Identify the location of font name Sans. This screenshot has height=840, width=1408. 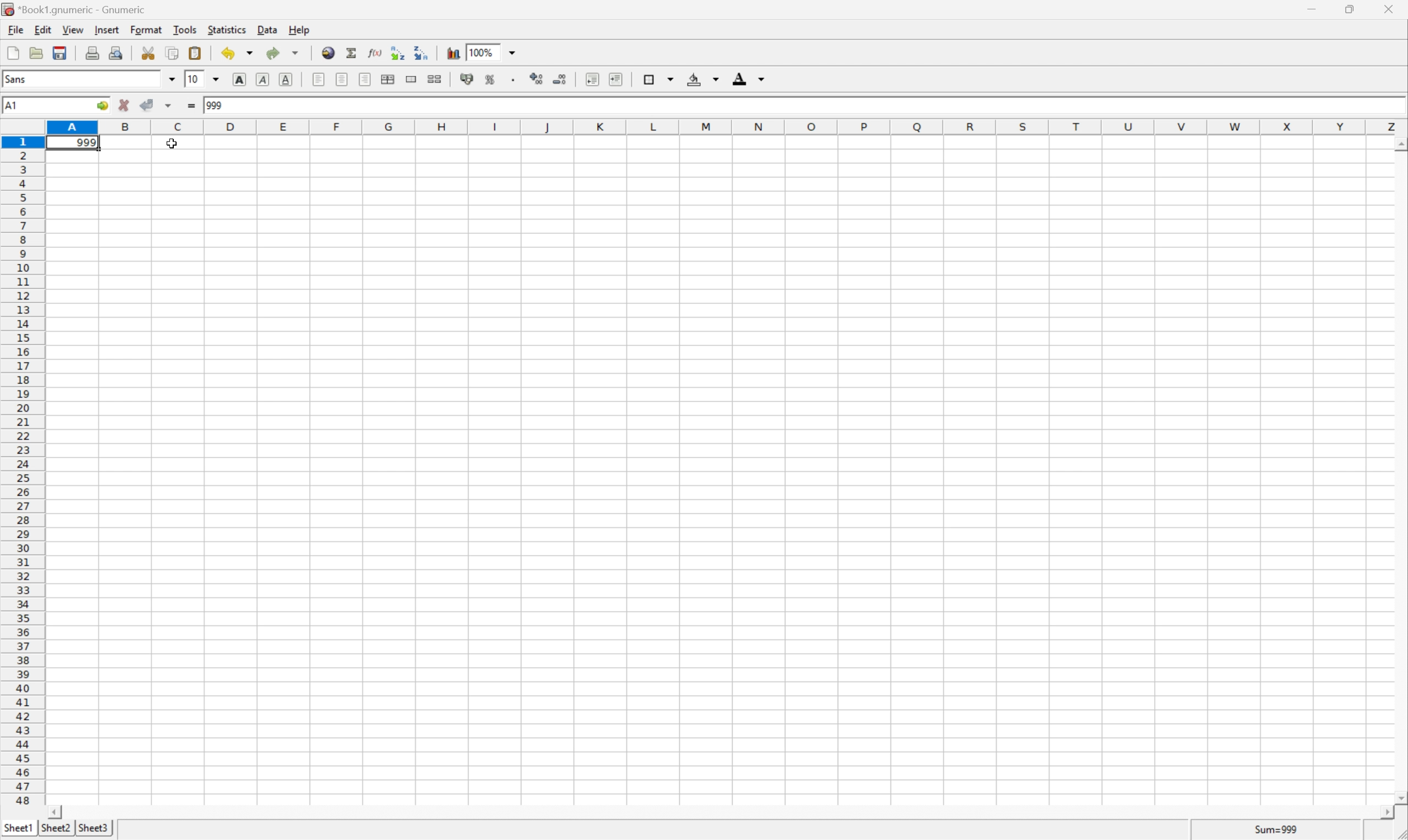
(92, 79).